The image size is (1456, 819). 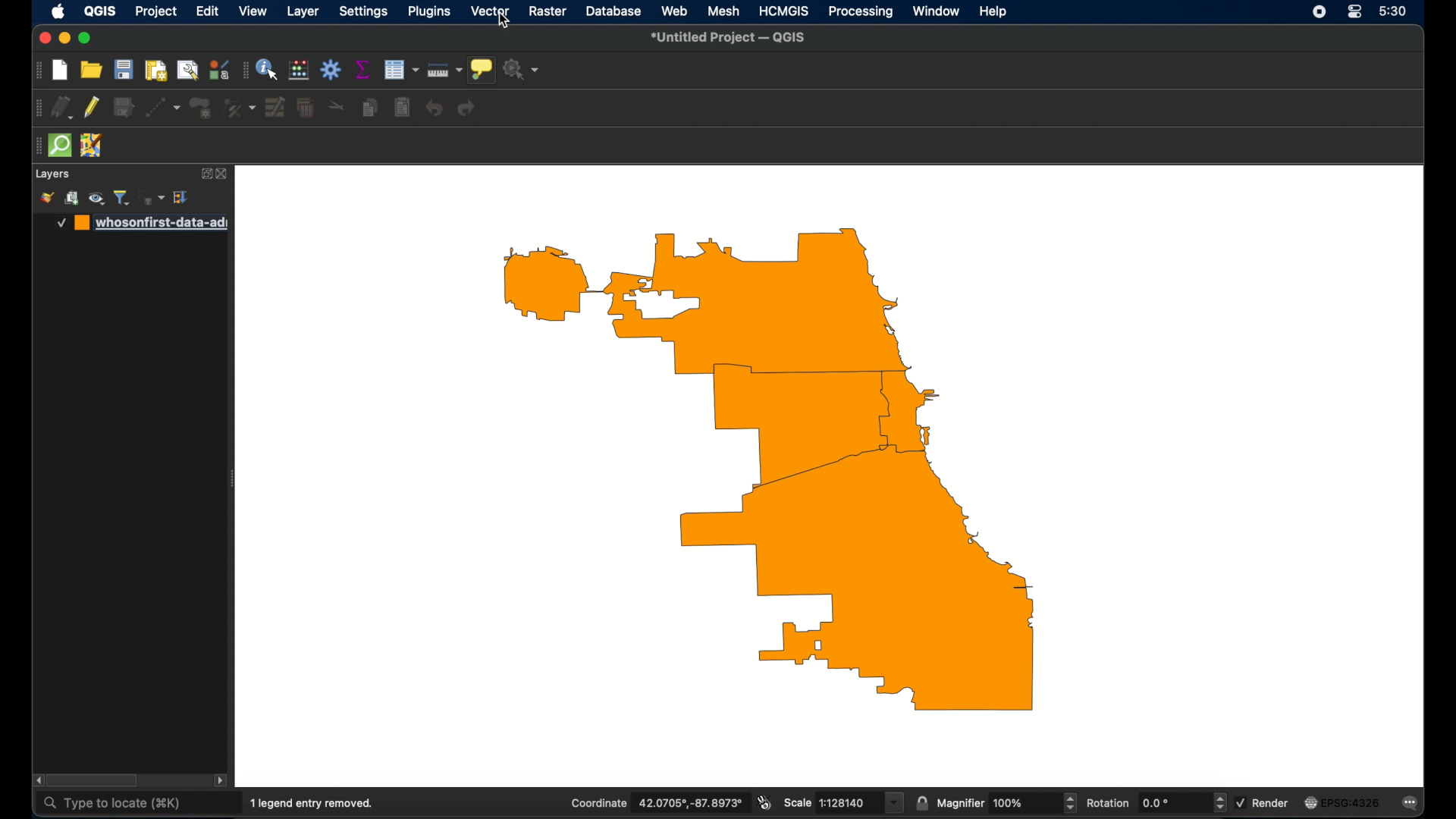 I want to click on polygon feature, so click(x=200, y=107).